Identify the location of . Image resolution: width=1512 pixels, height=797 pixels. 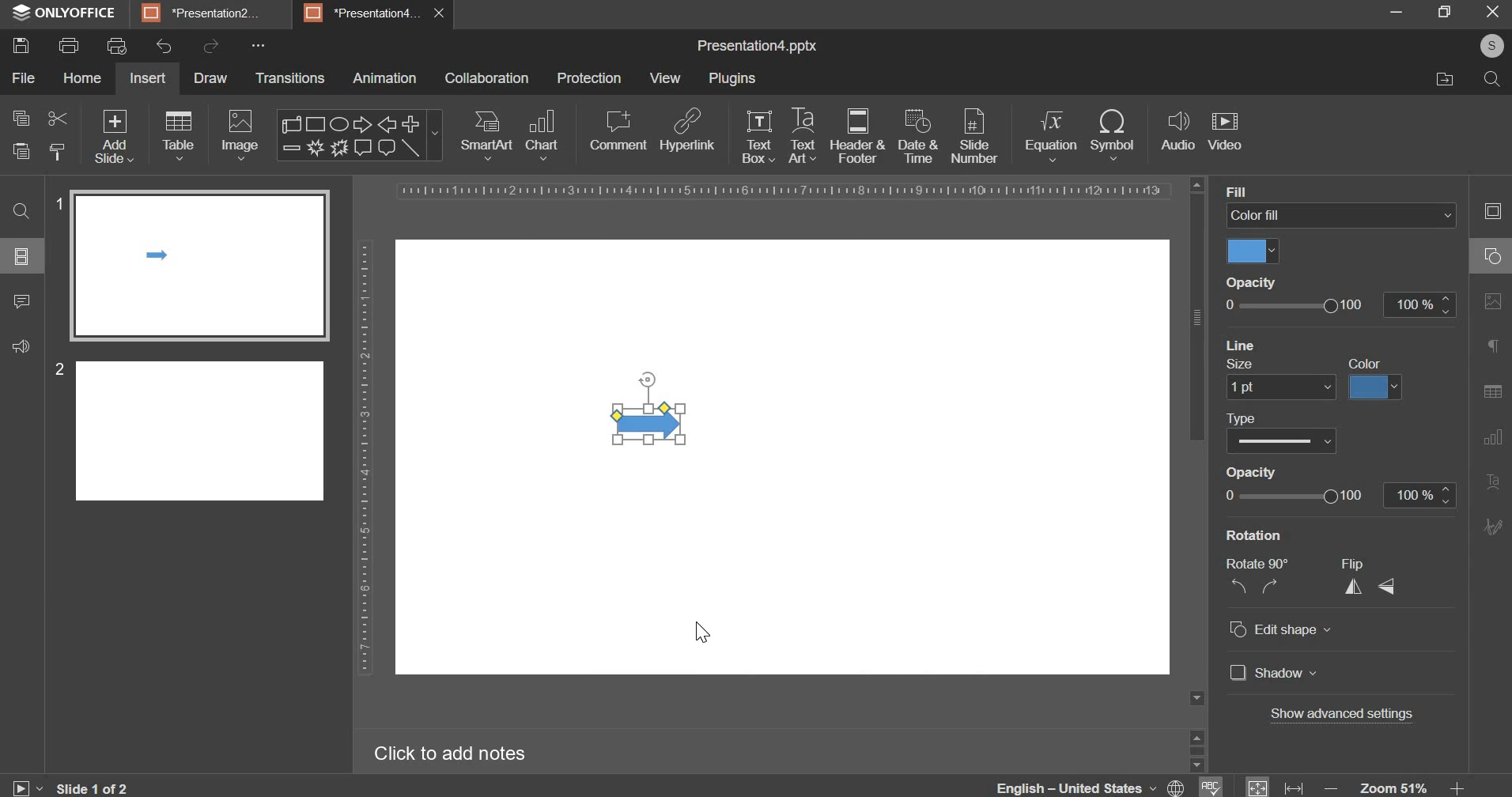
(1383, 387).